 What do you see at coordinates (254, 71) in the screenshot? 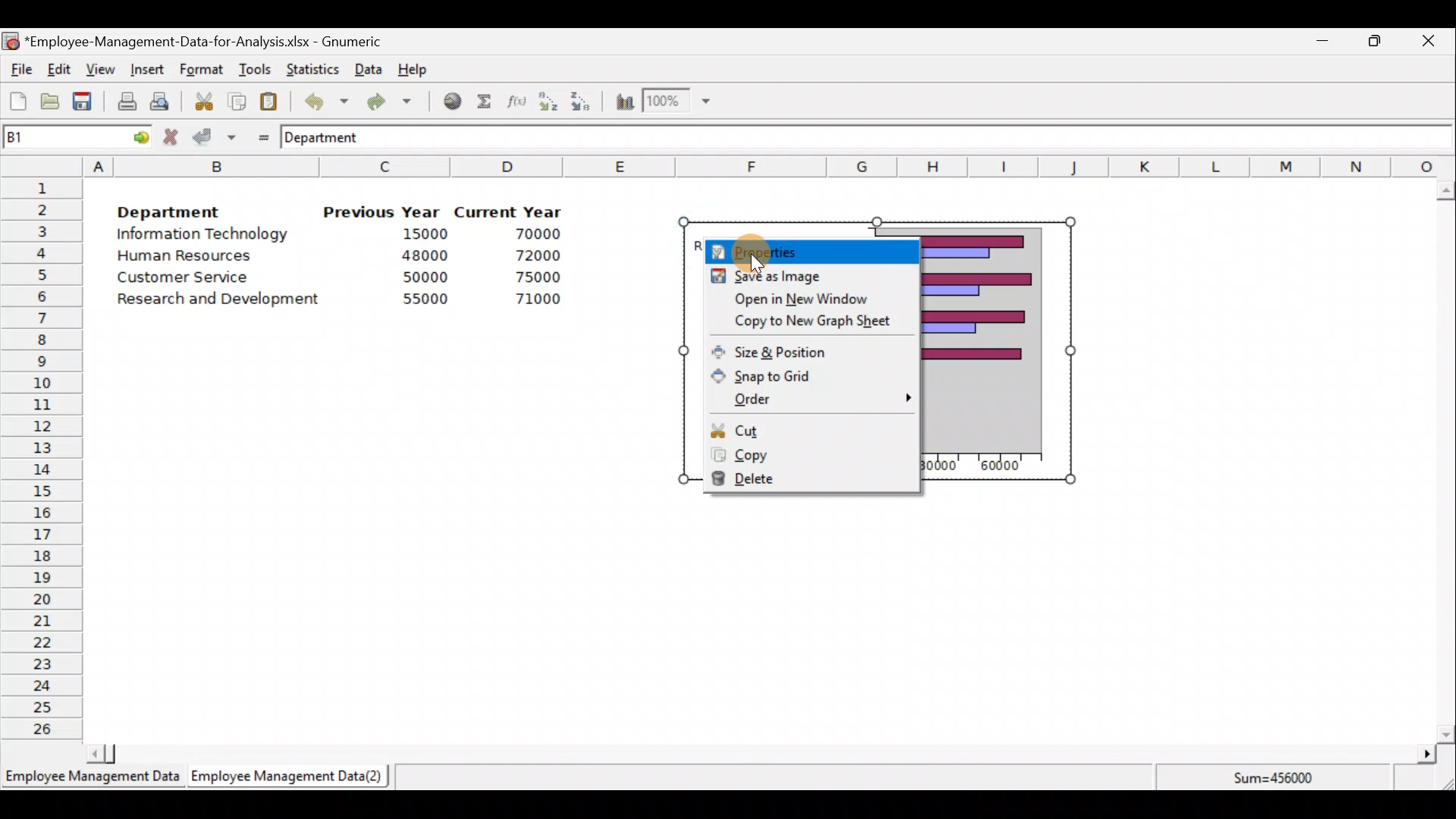
I see `Tools` at bounding box center [254, 71].